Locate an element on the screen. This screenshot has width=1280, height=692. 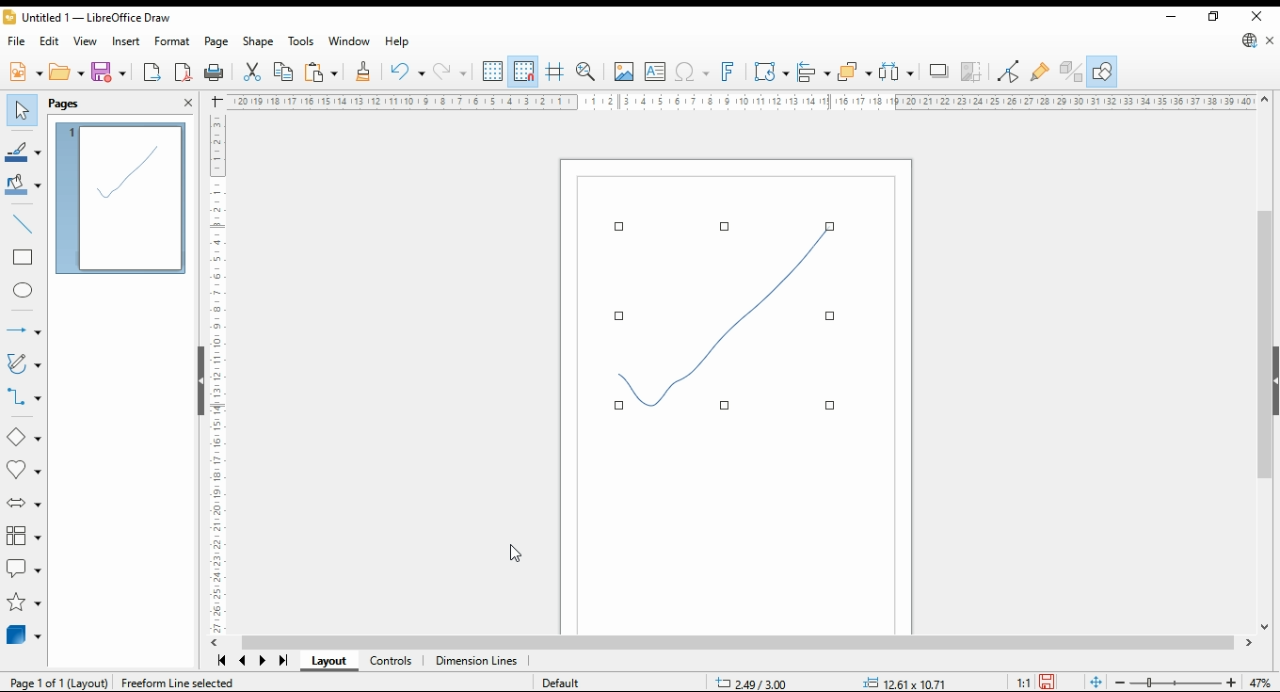
redo is located at coordinates (452, 71).